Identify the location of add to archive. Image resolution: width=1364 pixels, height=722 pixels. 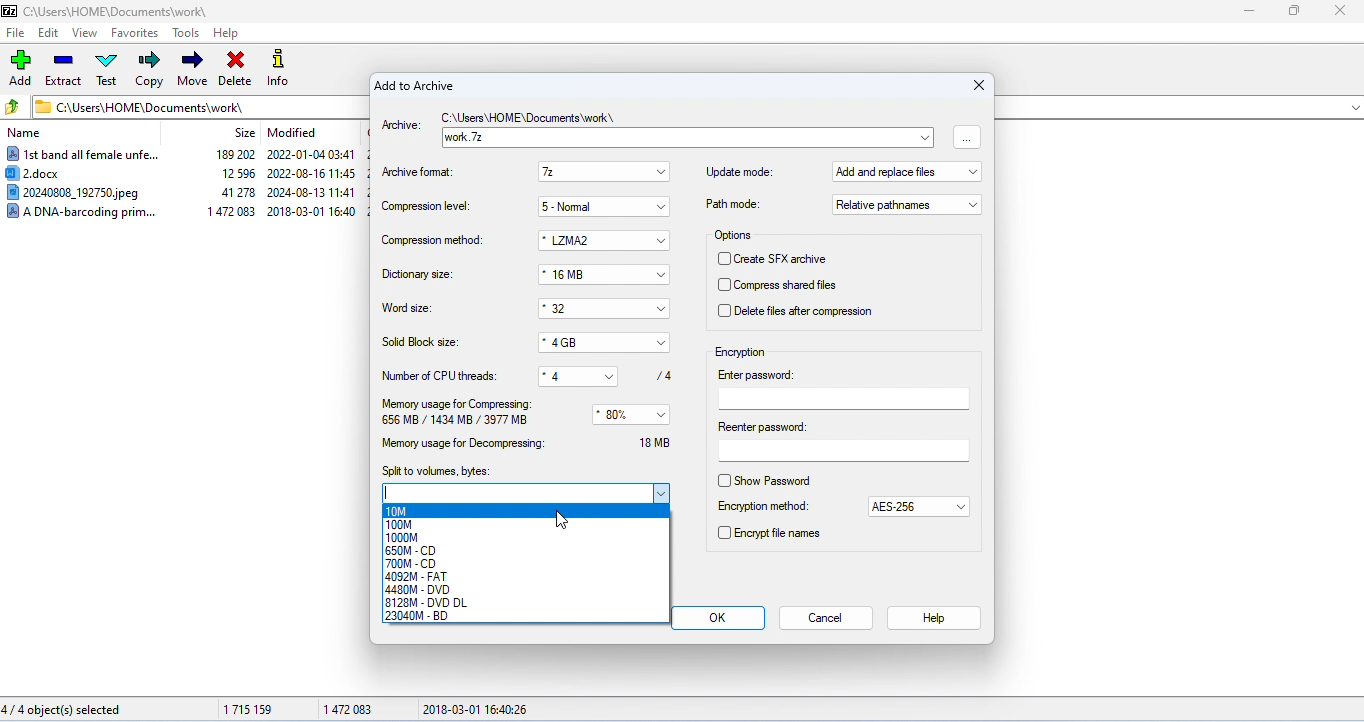
(414, 87).